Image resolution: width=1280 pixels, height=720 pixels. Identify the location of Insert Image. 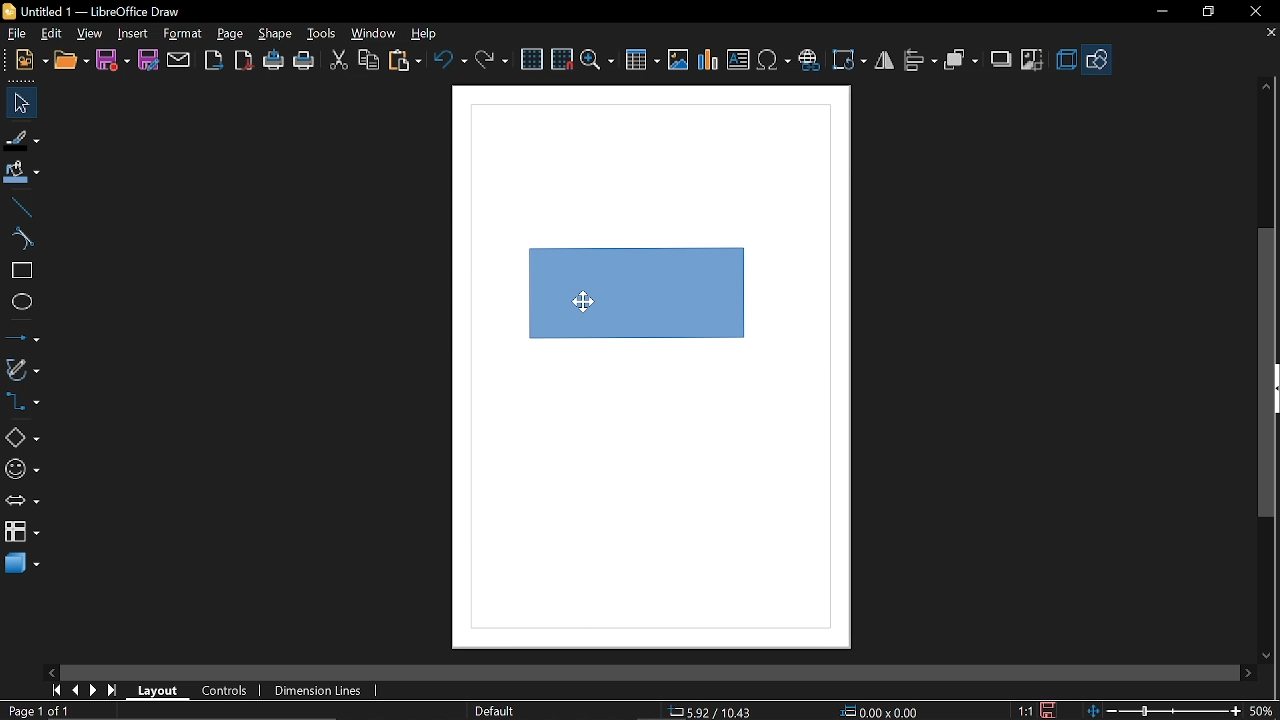
(676, 61).